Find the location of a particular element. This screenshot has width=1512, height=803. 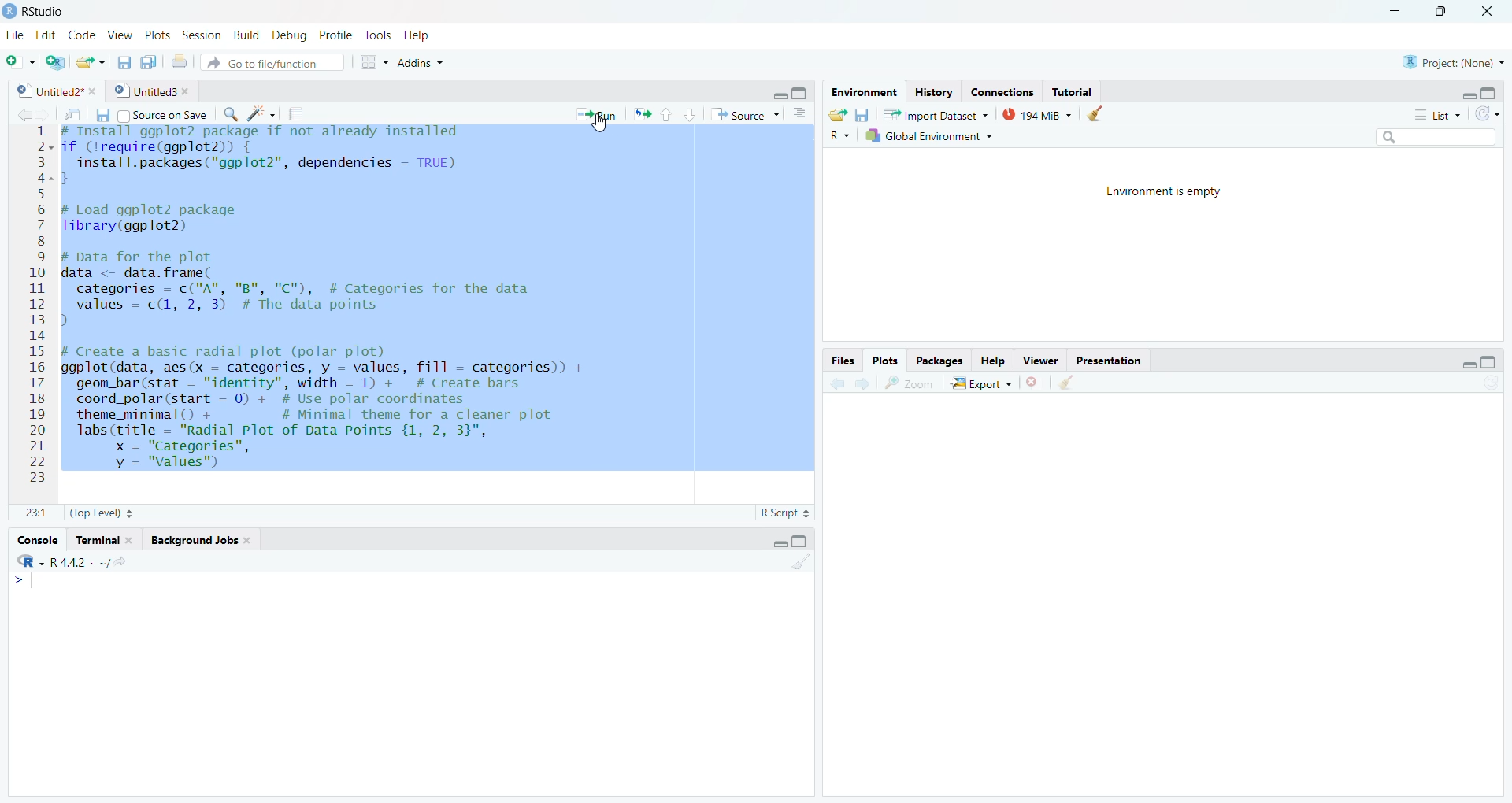

Minimize is located at coordinates (1468, 366).